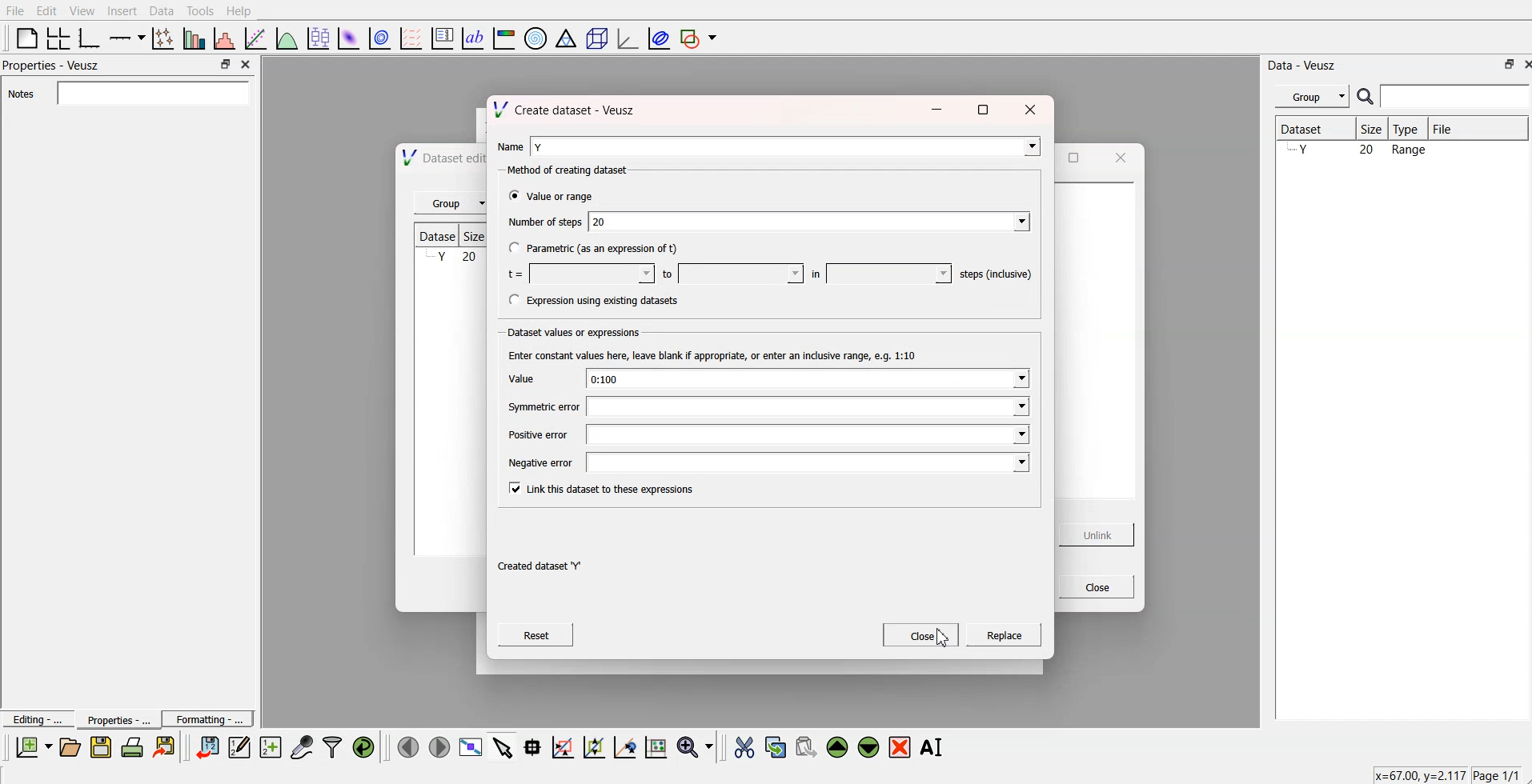 This screenshot has height=784, width=1532. What do you see at coordinates (1370, 129) in the screenshot?
I see `Size` at bounding box center [1370, 129].